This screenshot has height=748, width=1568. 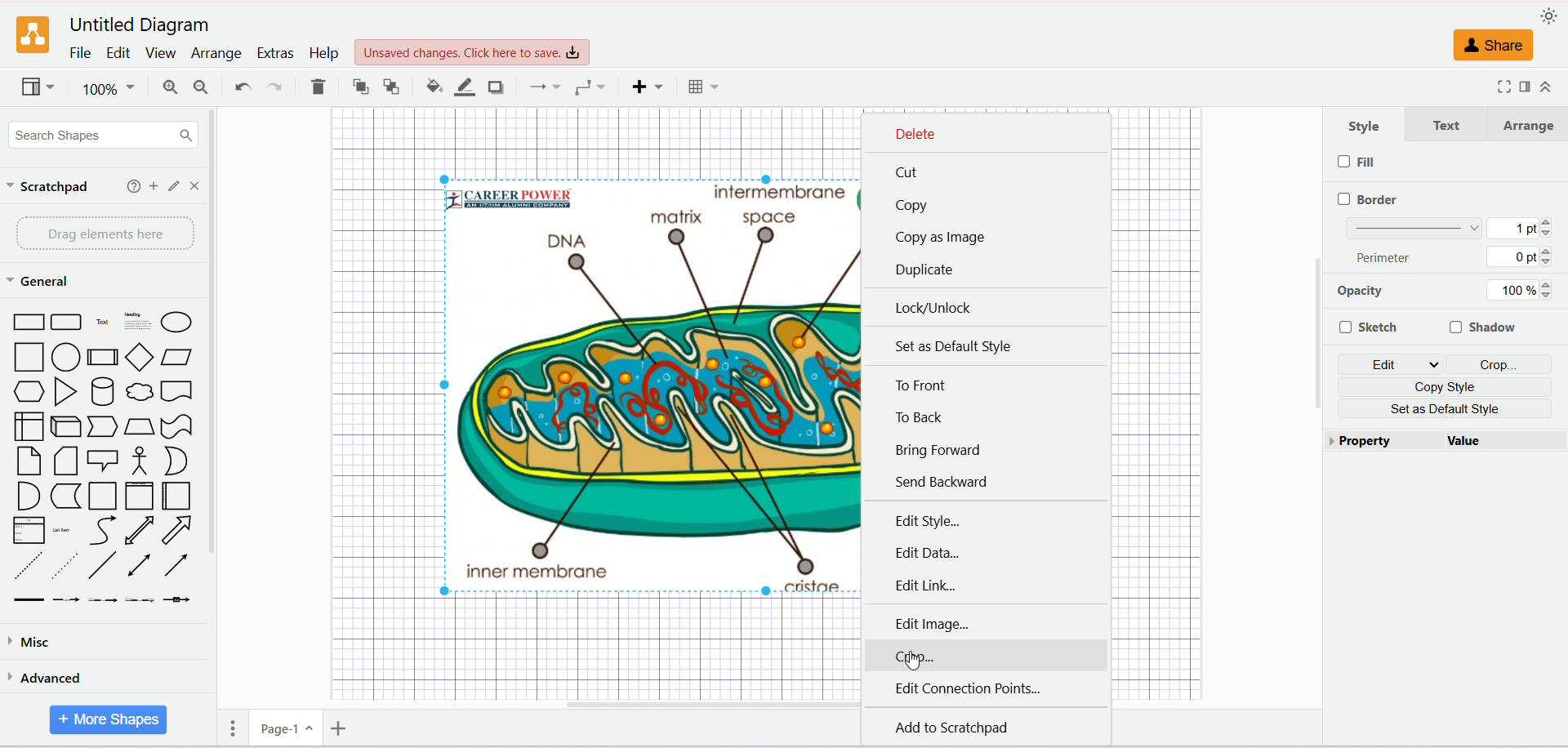 What do you see at coordinates (216, 425) in the screenshot?
I see `vertical scroll bar` at bounding box center [216, 425].